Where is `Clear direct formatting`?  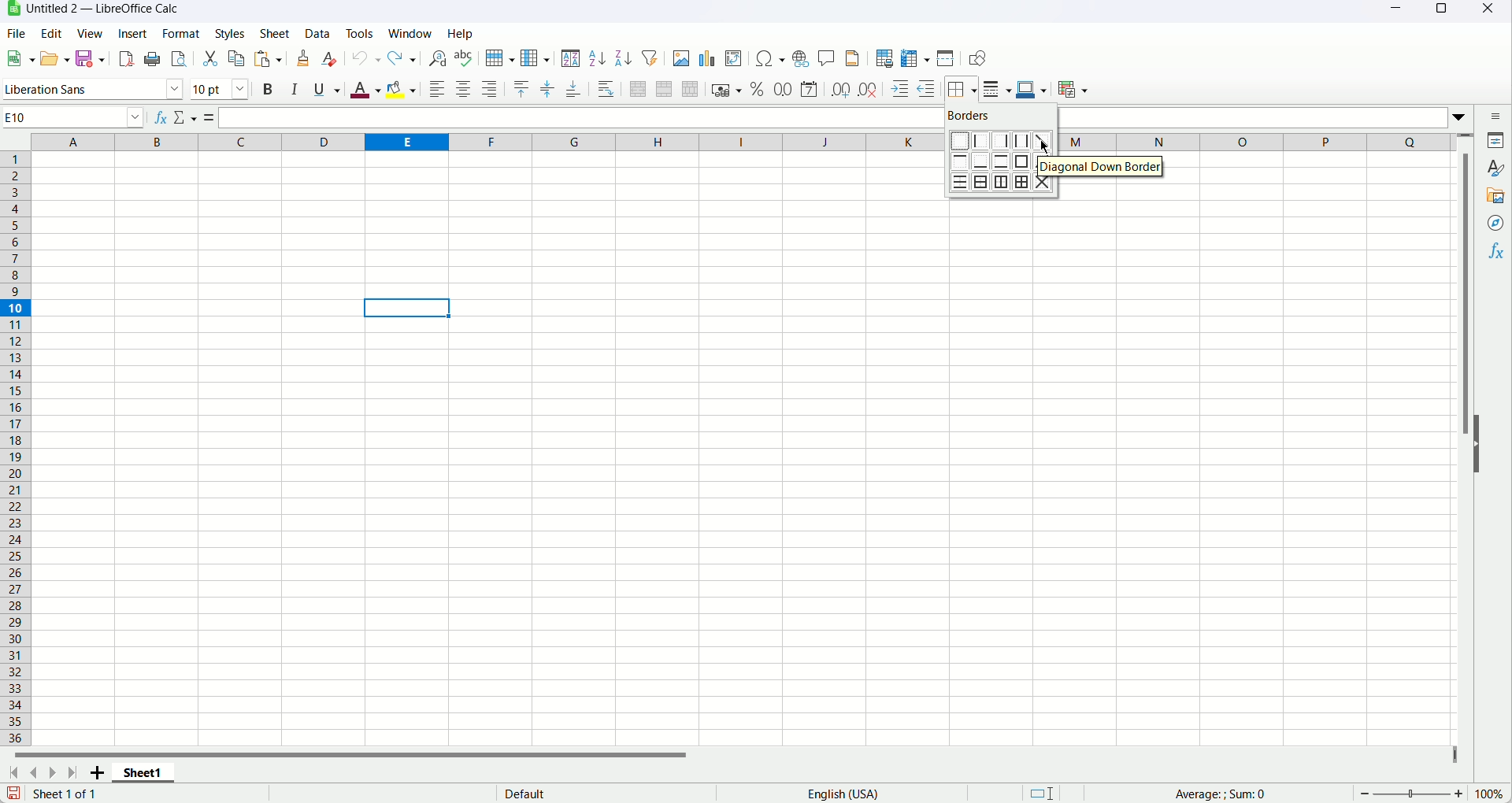
Clear direct formatting is located at coordinates (330, 59).